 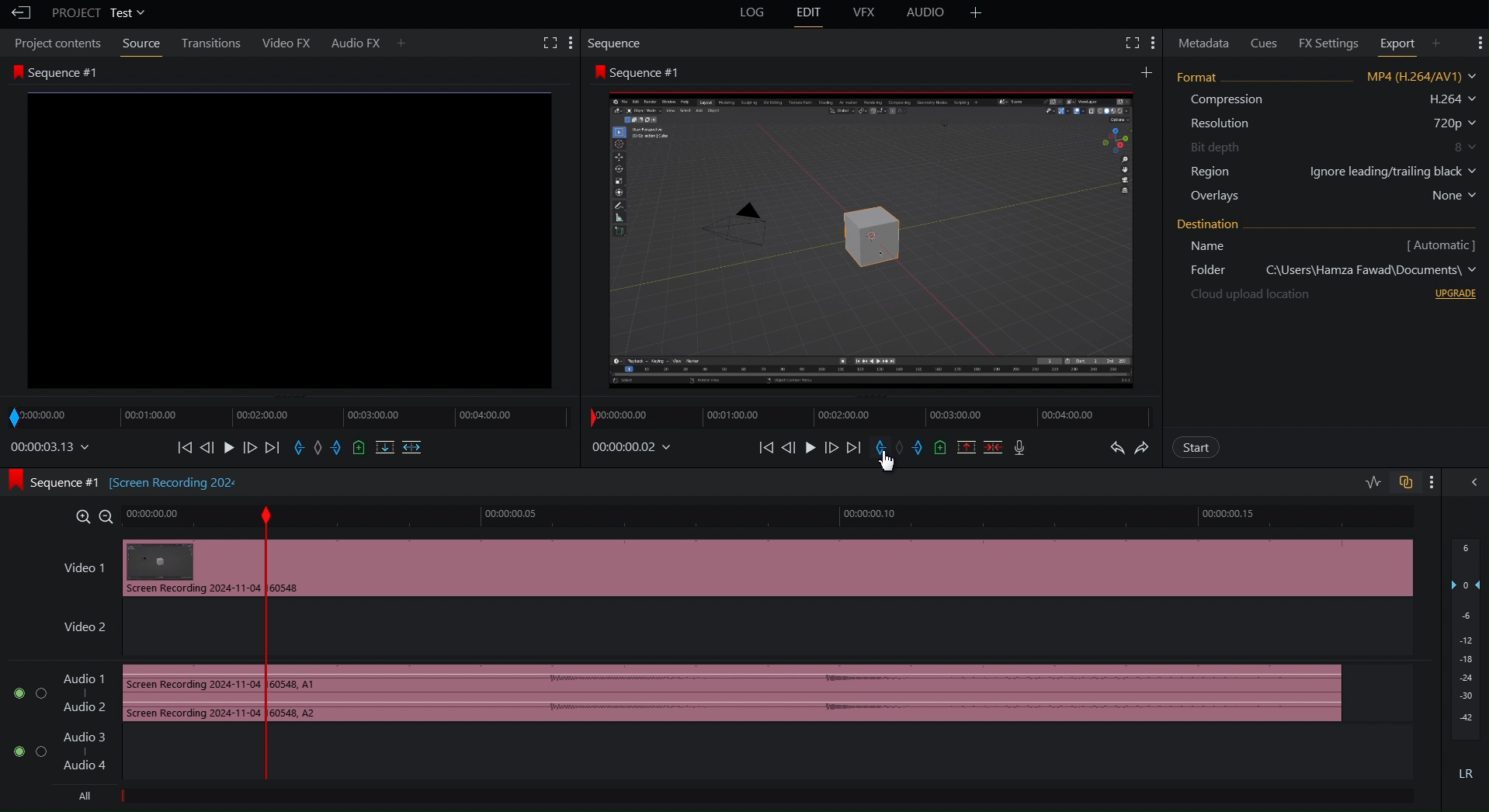 I want to click on Audio 1, so click(x=56, y=692).